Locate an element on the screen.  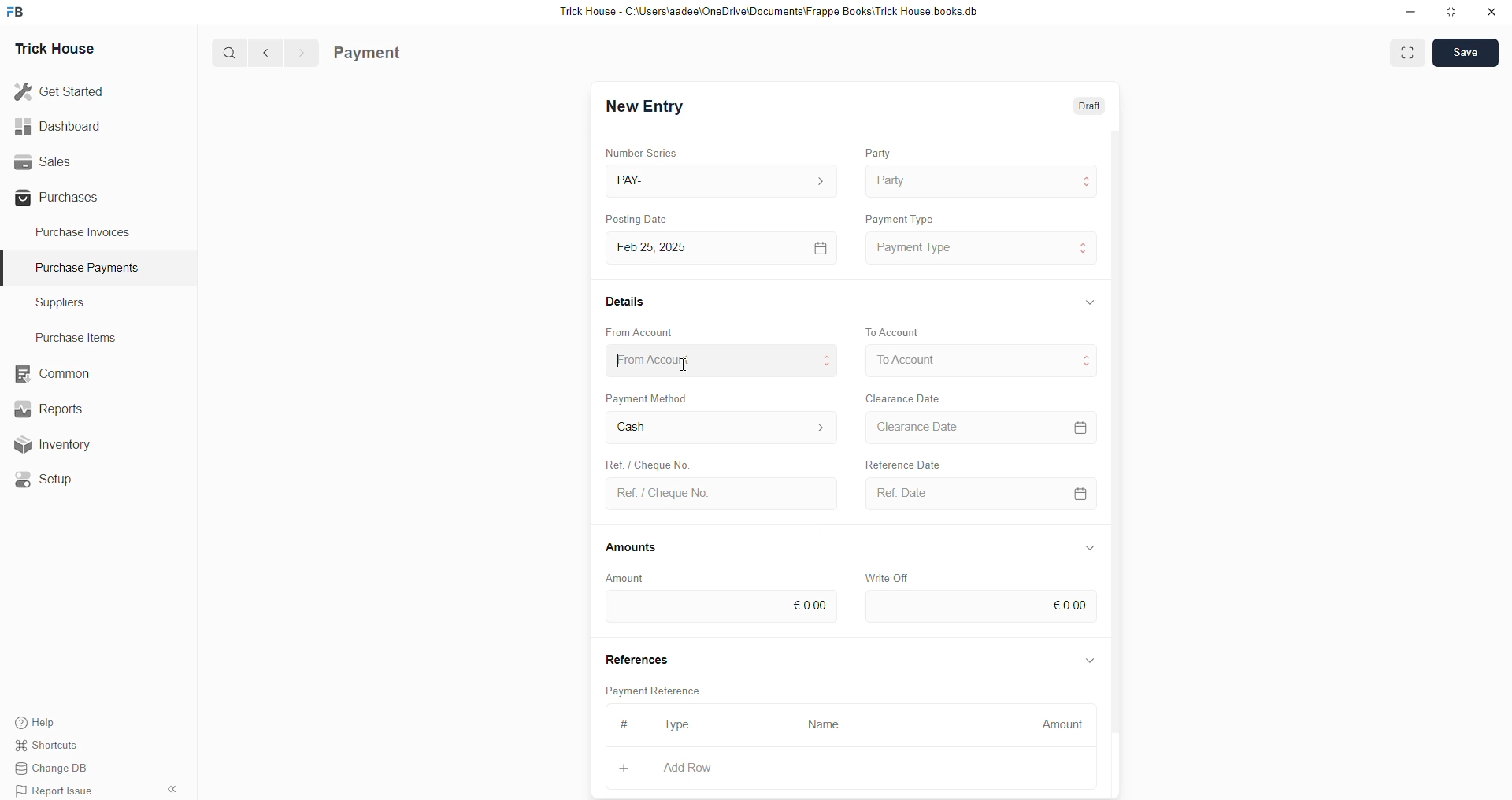
Amounts is located at coordinates (638, 548).